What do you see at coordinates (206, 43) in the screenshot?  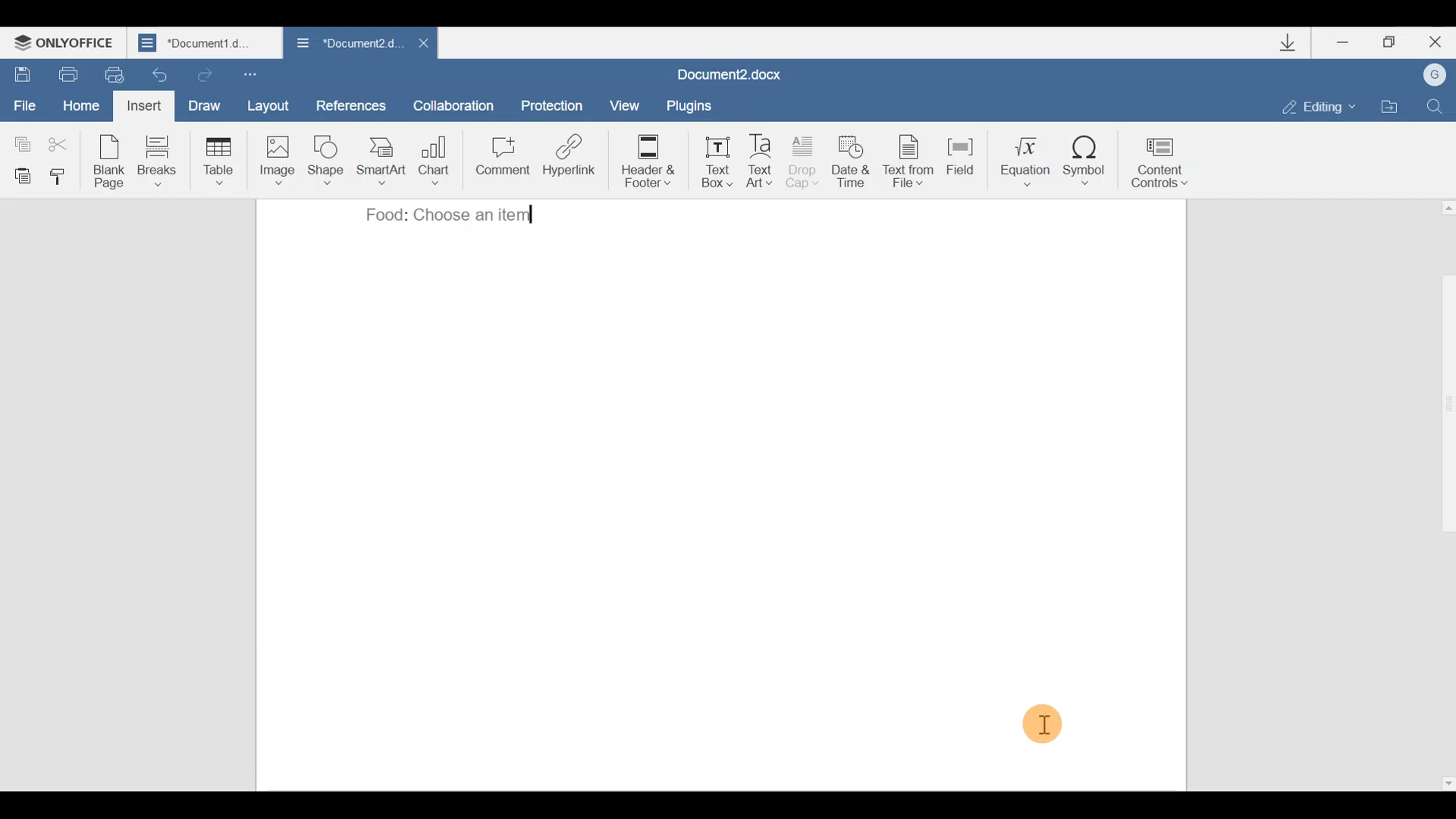 I see `Document1.d..` at bounding box center [206, 43].